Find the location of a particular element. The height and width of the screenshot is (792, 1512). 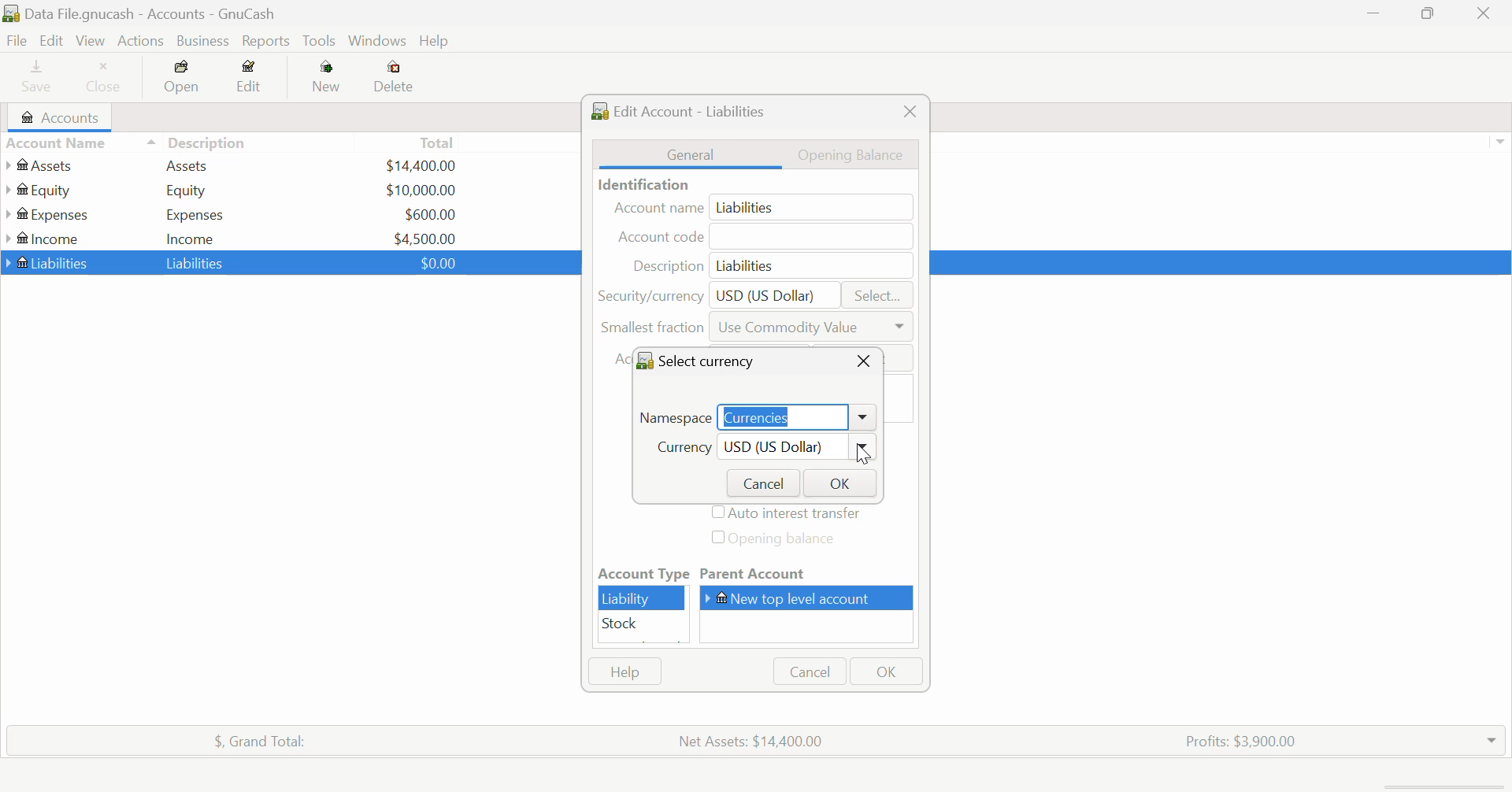

Income Account is located at coordinates (47, 239).